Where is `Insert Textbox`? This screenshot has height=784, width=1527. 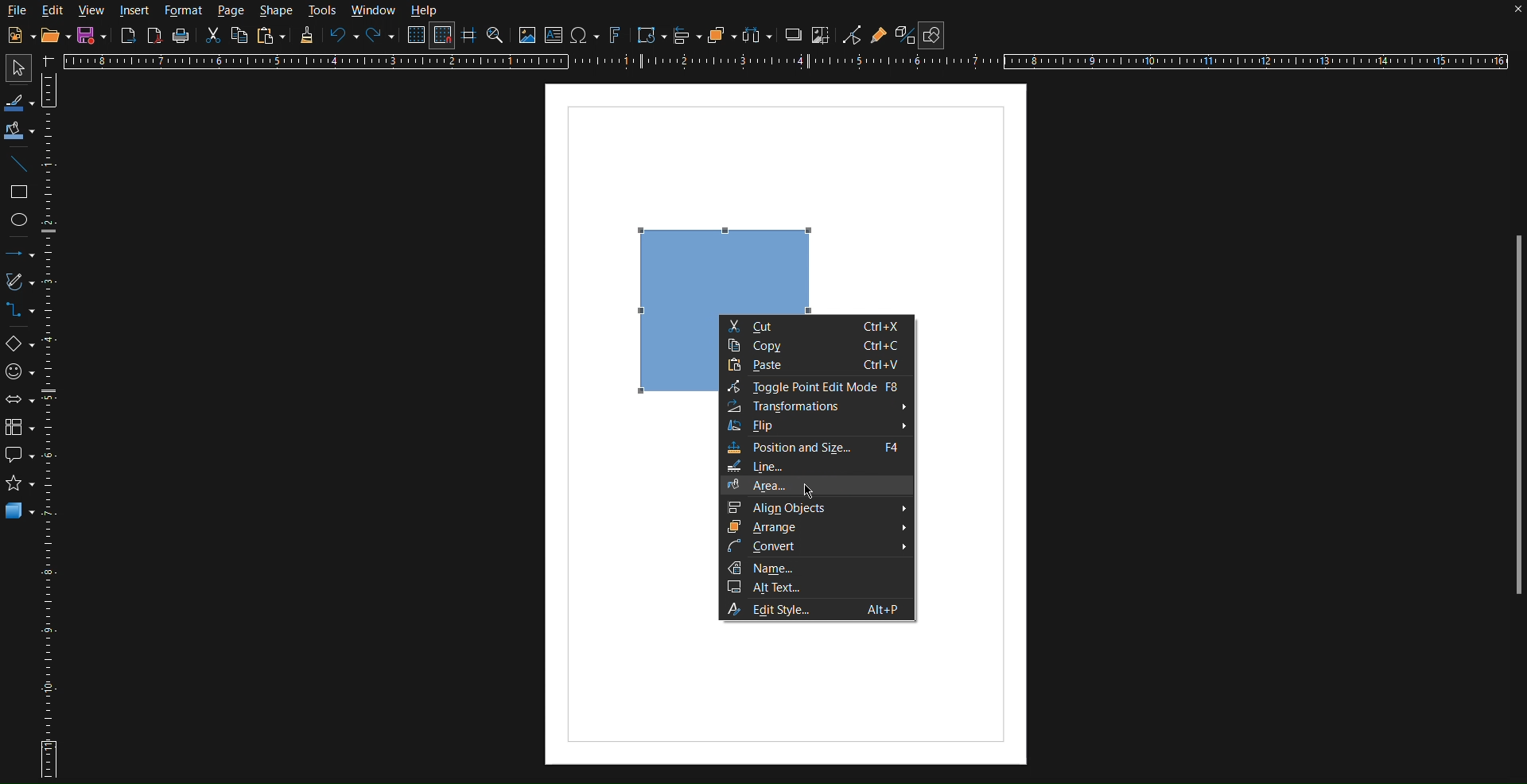 Insert Textbox is located at coordinates (556, 37).